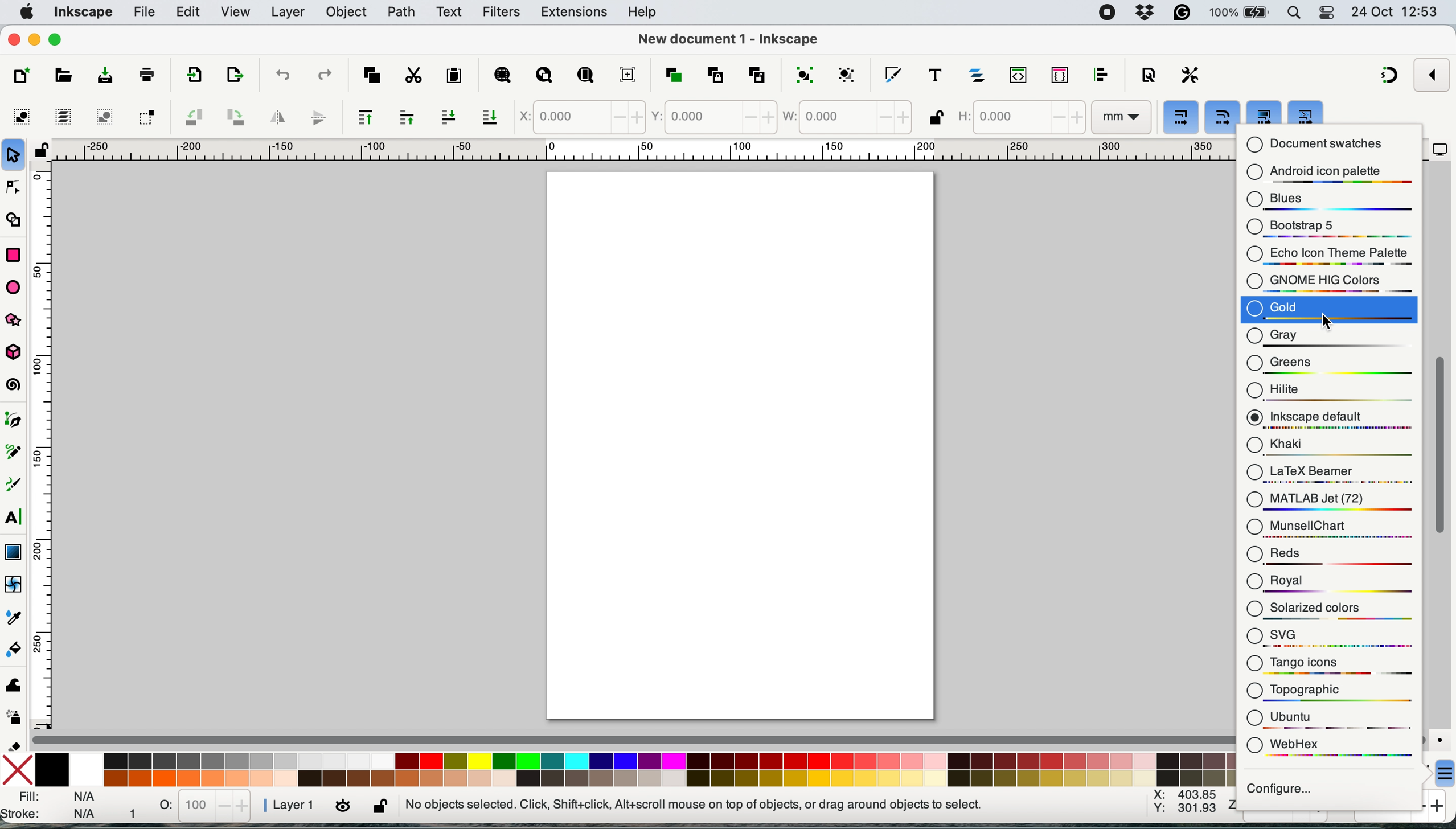  What do you see at coordinates (1020, 115) in the screenshot?
I see `height` at bounding box center [1020, 115].